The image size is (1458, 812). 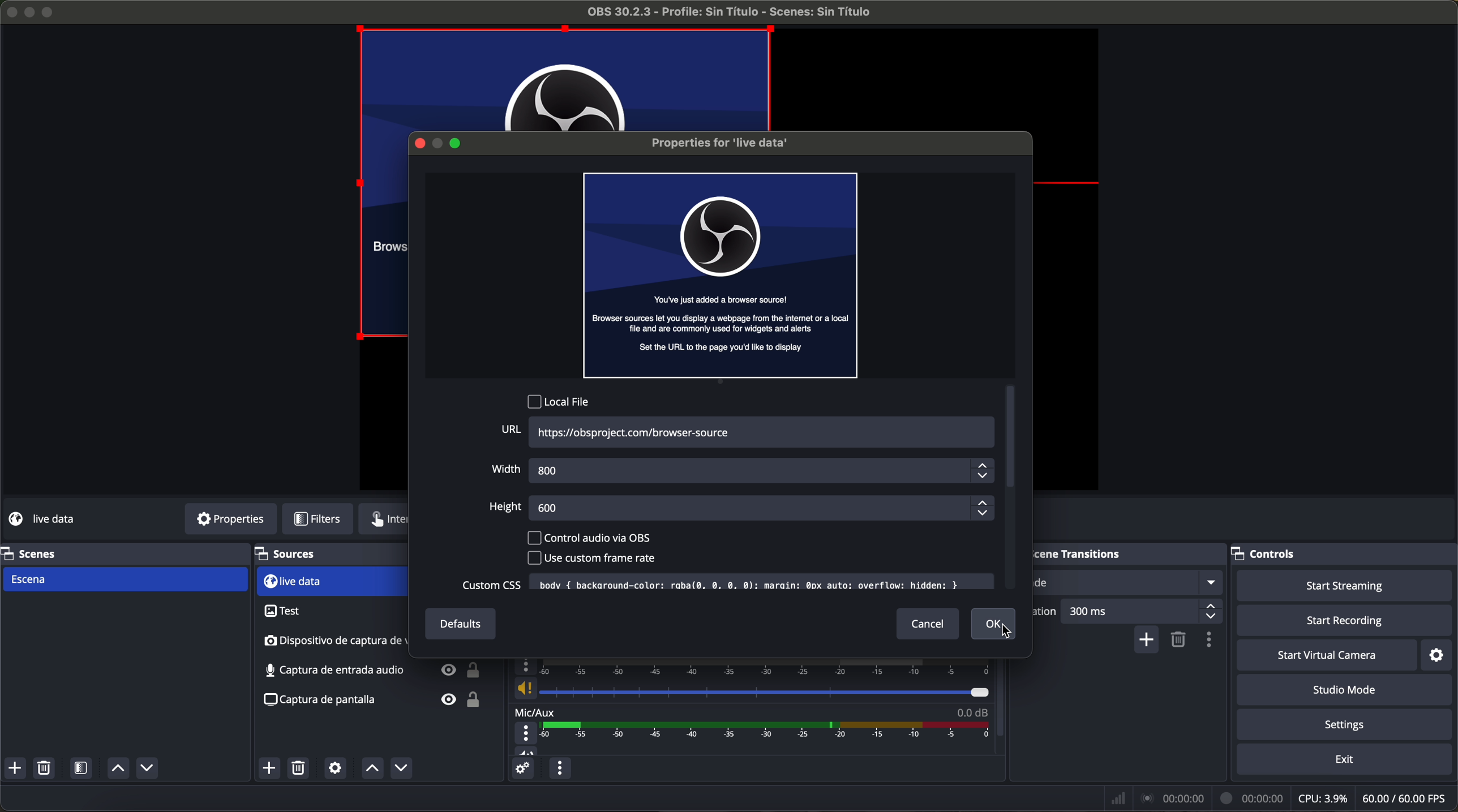 What do you see at coordinates (50, 14) in the screenshot?
I see `maximize program` at bounding box center [50, 14].